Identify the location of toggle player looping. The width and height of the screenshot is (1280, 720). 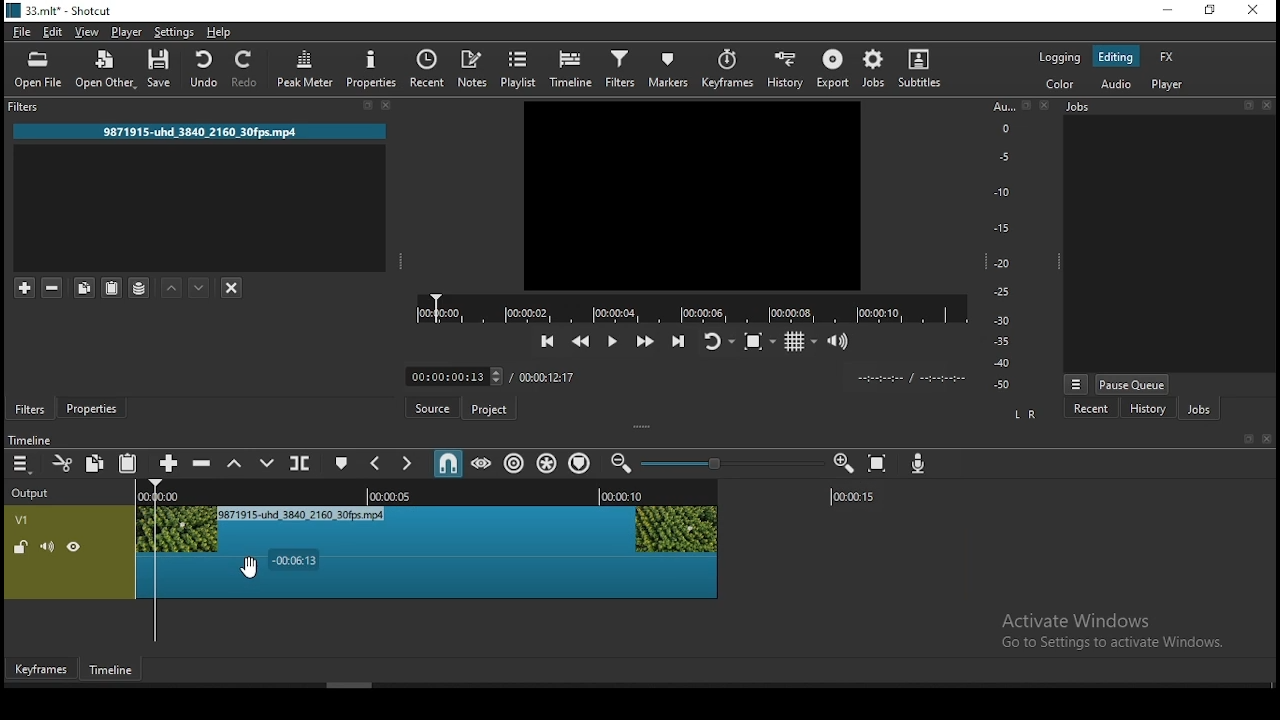
(717, 342).